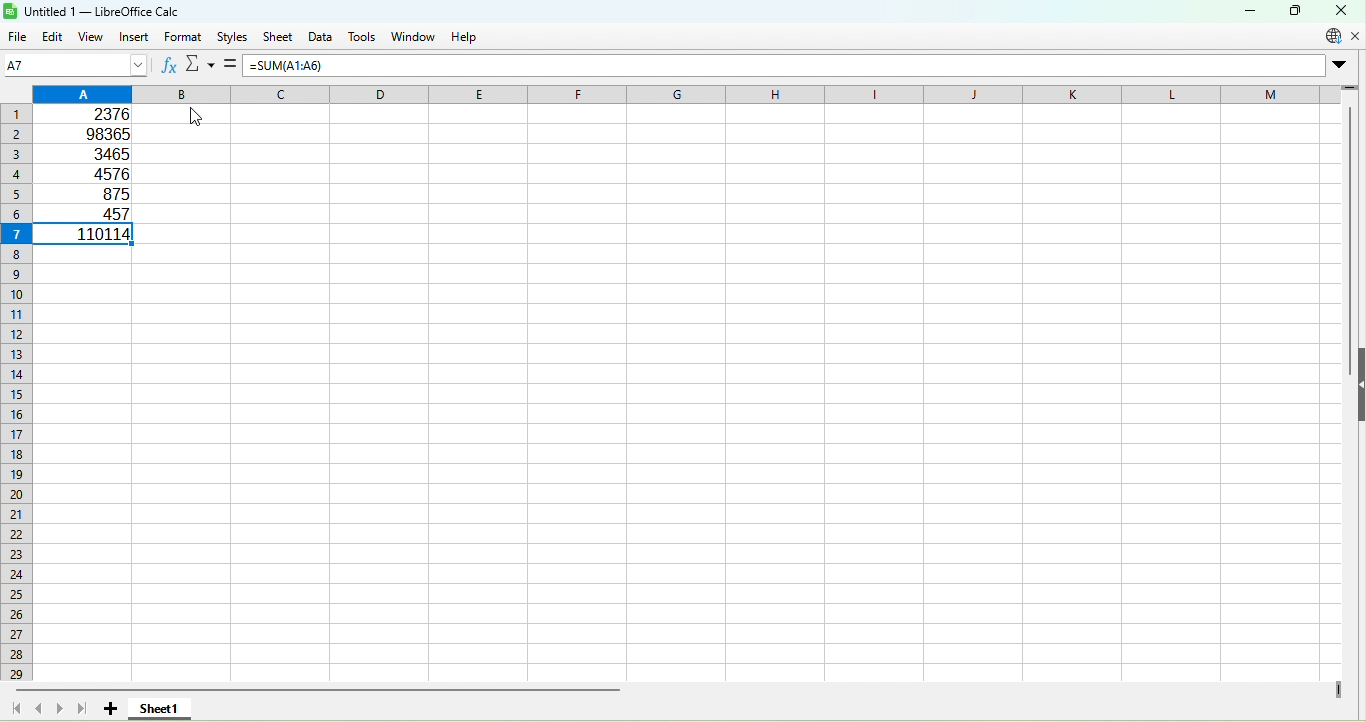  I want to click on Edit, so click(53, 38).